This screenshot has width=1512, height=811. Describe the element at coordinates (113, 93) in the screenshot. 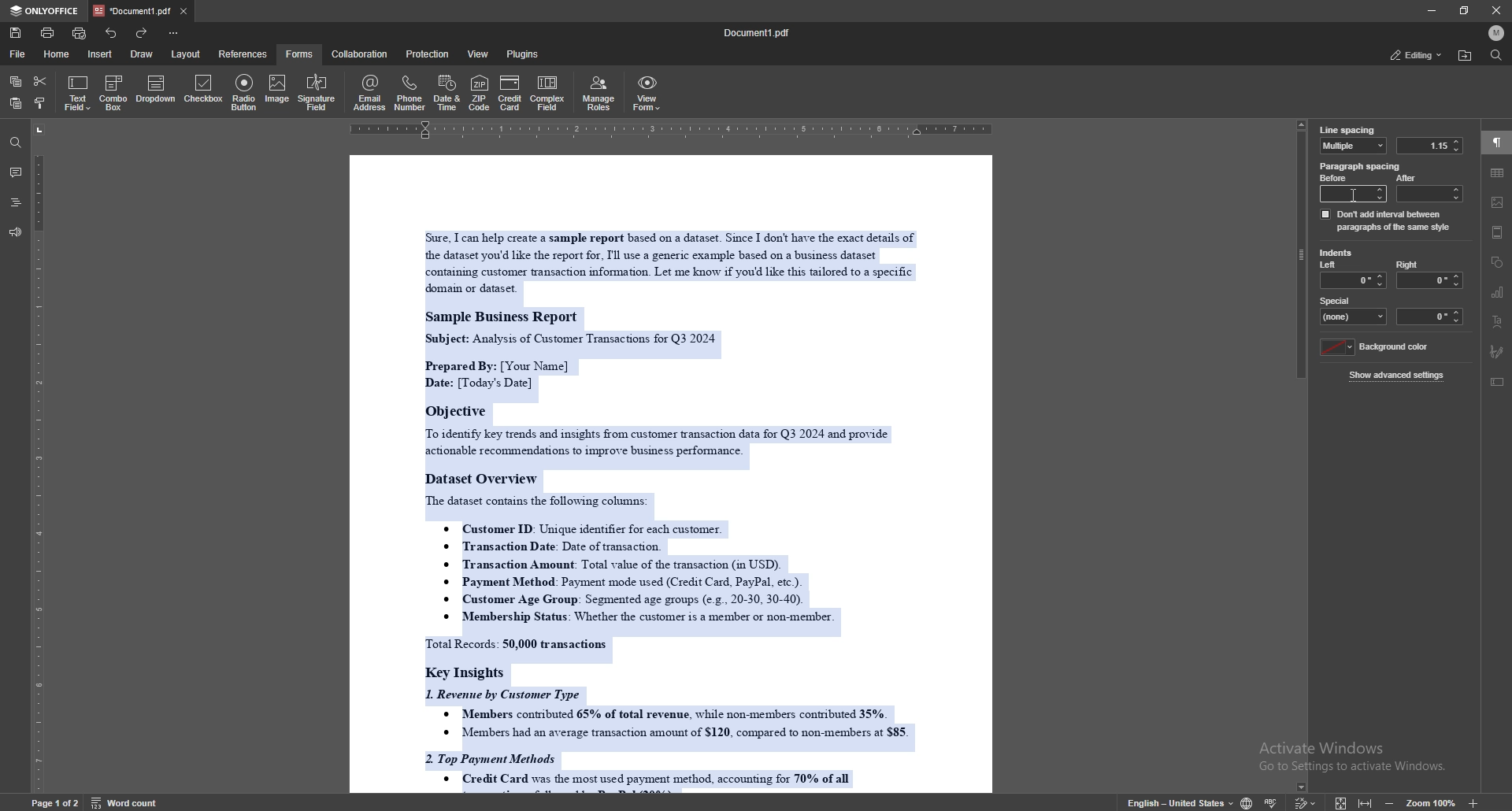

I see `combo box` at that location.